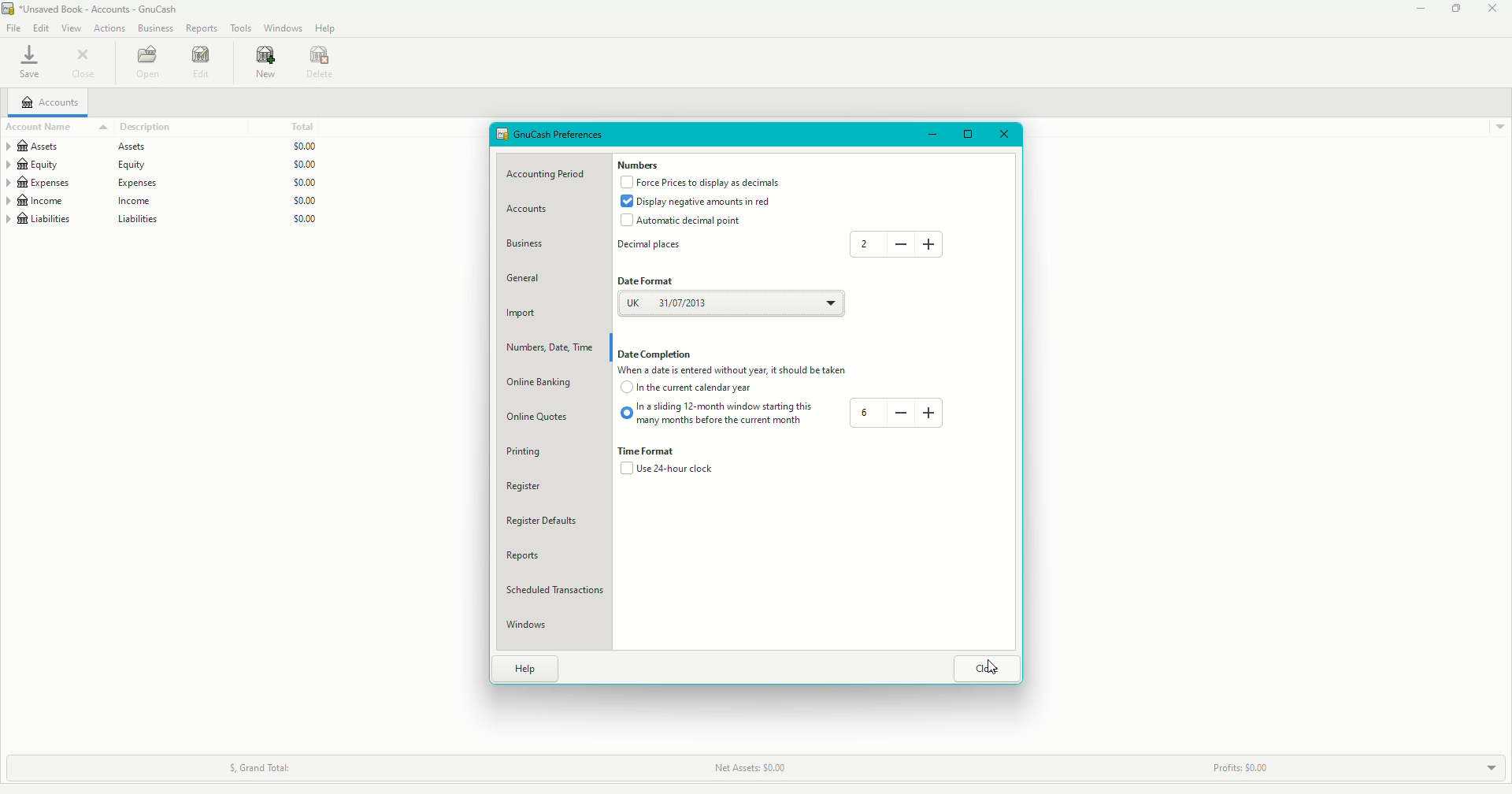  Describe the element at coordinates (929, 410) in the screenshot. I see `Plus` at that location.